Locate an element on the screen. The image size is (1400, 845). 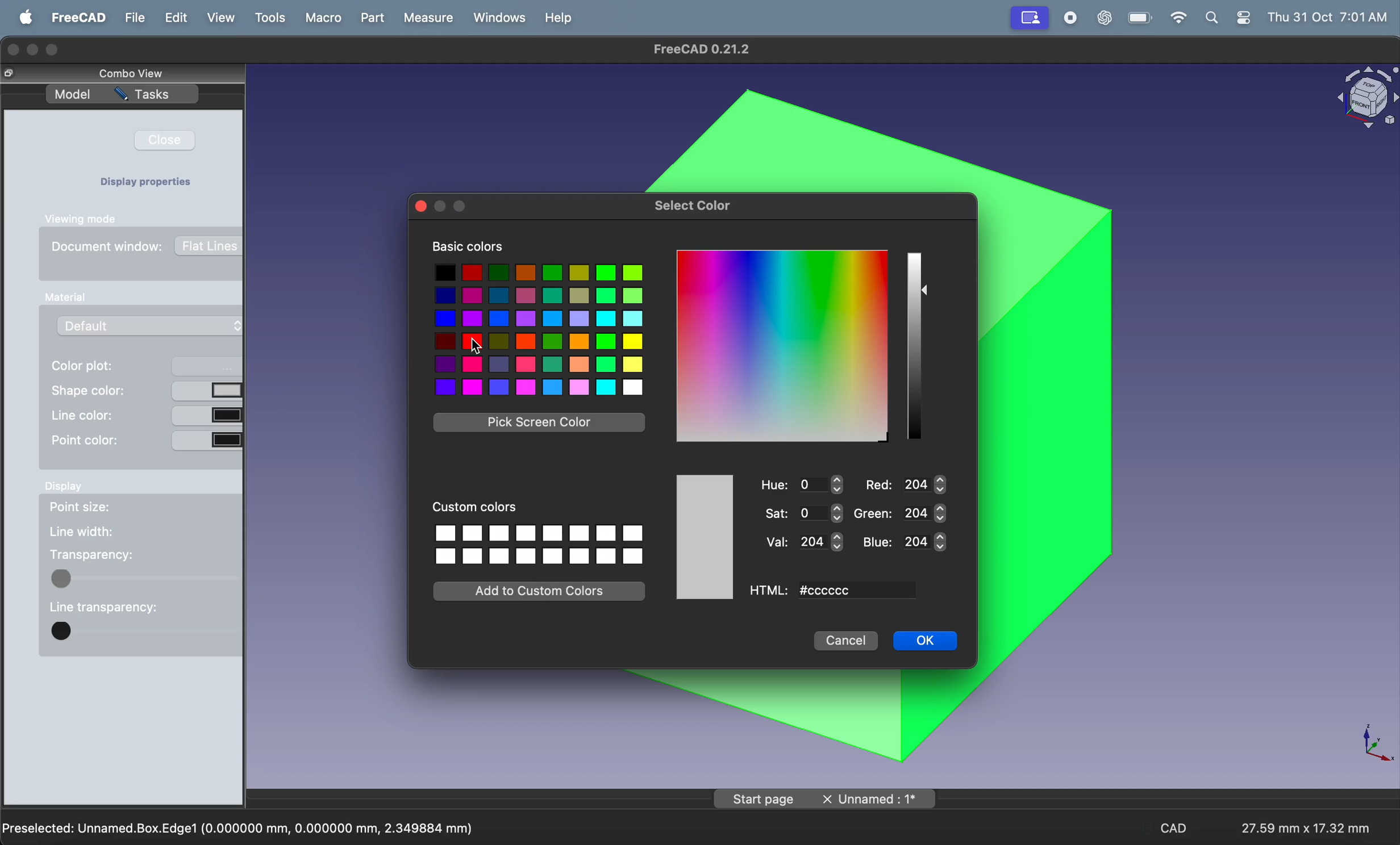
aspect ratio is located at coordinates (1301, 823).